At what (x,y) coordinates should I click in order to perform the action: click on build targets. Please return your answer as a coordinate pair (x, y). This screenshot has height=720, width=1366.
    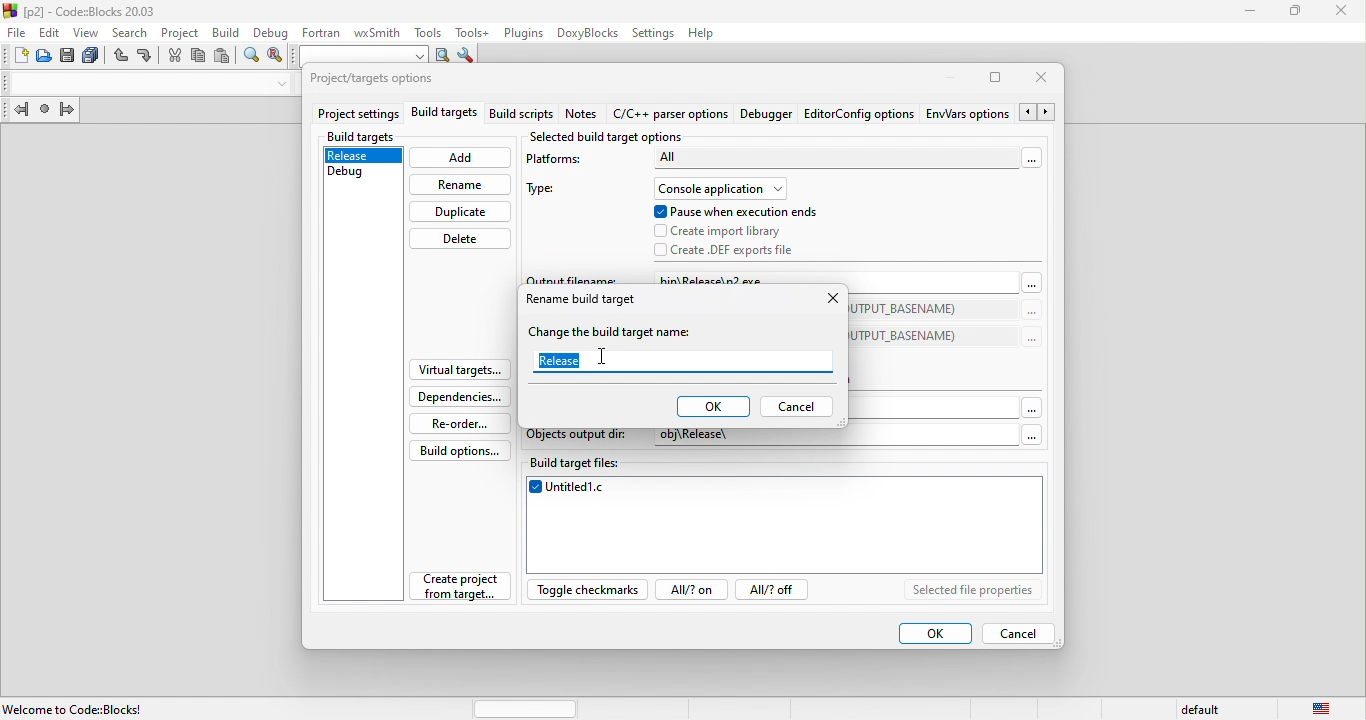
    Looking at the image, I should click on (363, 136).